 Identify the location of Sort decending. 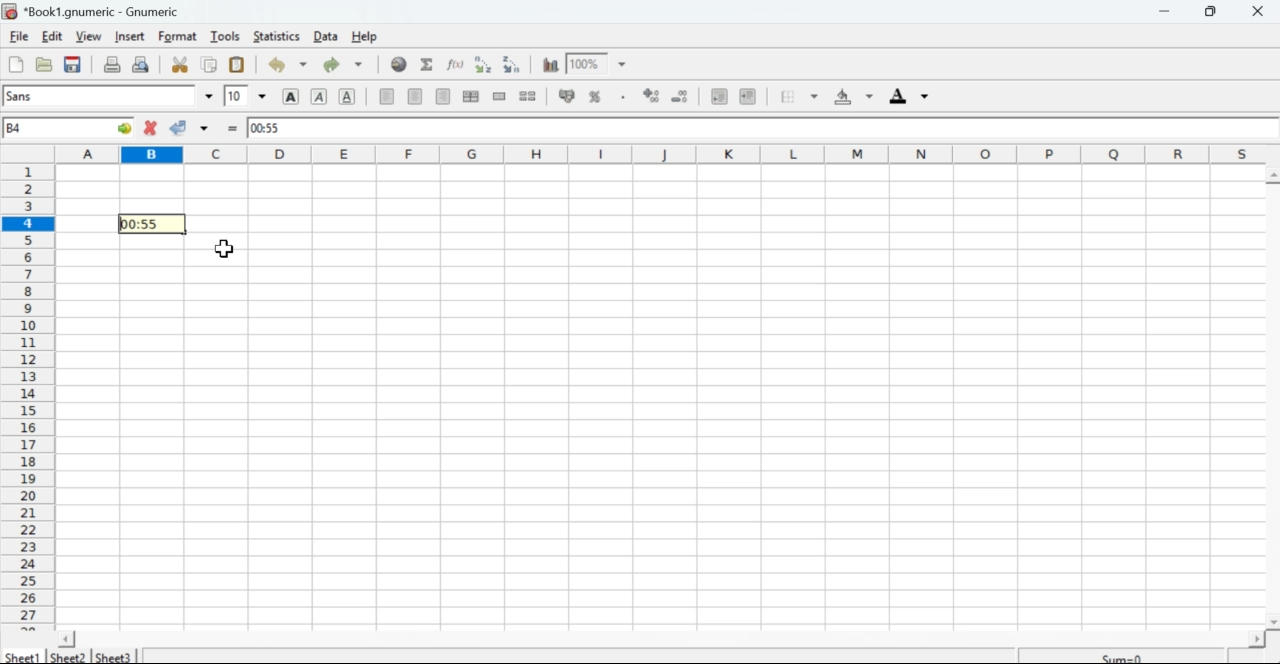
(514, 64).